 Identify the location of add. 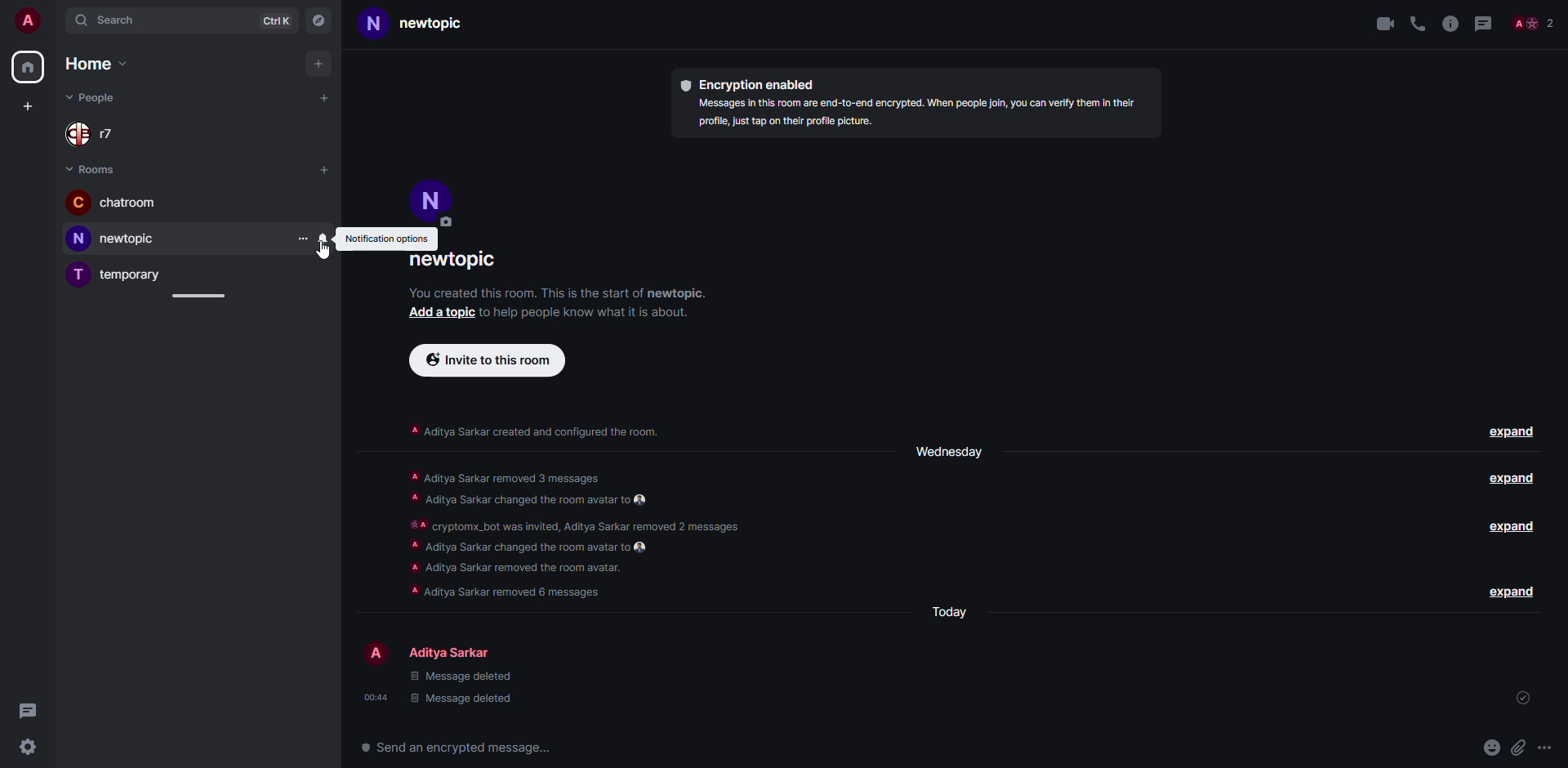
(322, 65).